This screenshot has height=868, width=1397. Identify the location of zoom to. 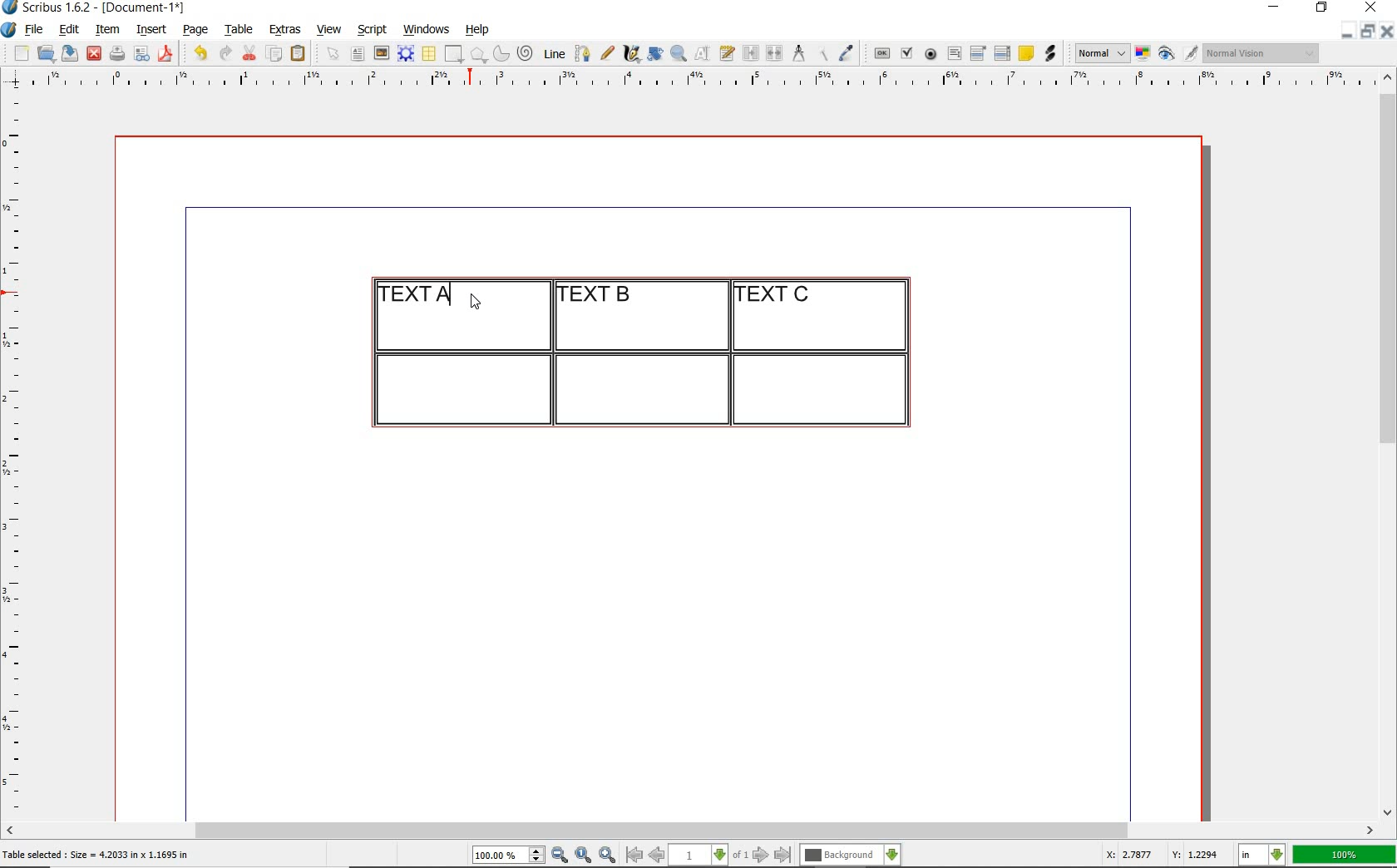
(584, 856).